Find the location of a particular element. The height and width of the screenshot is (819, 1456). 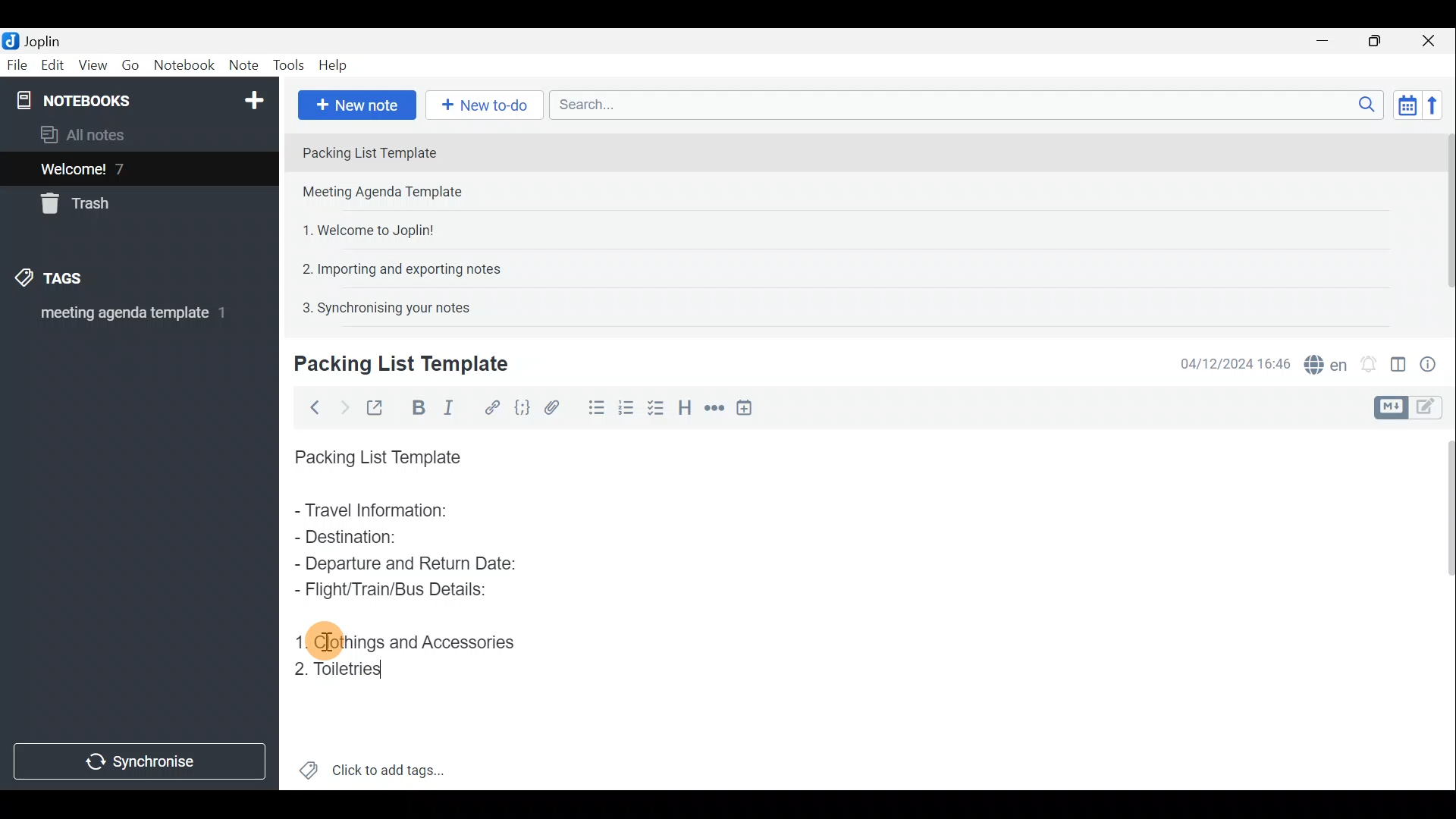

Numbered list is located at coordinates (657, 407).